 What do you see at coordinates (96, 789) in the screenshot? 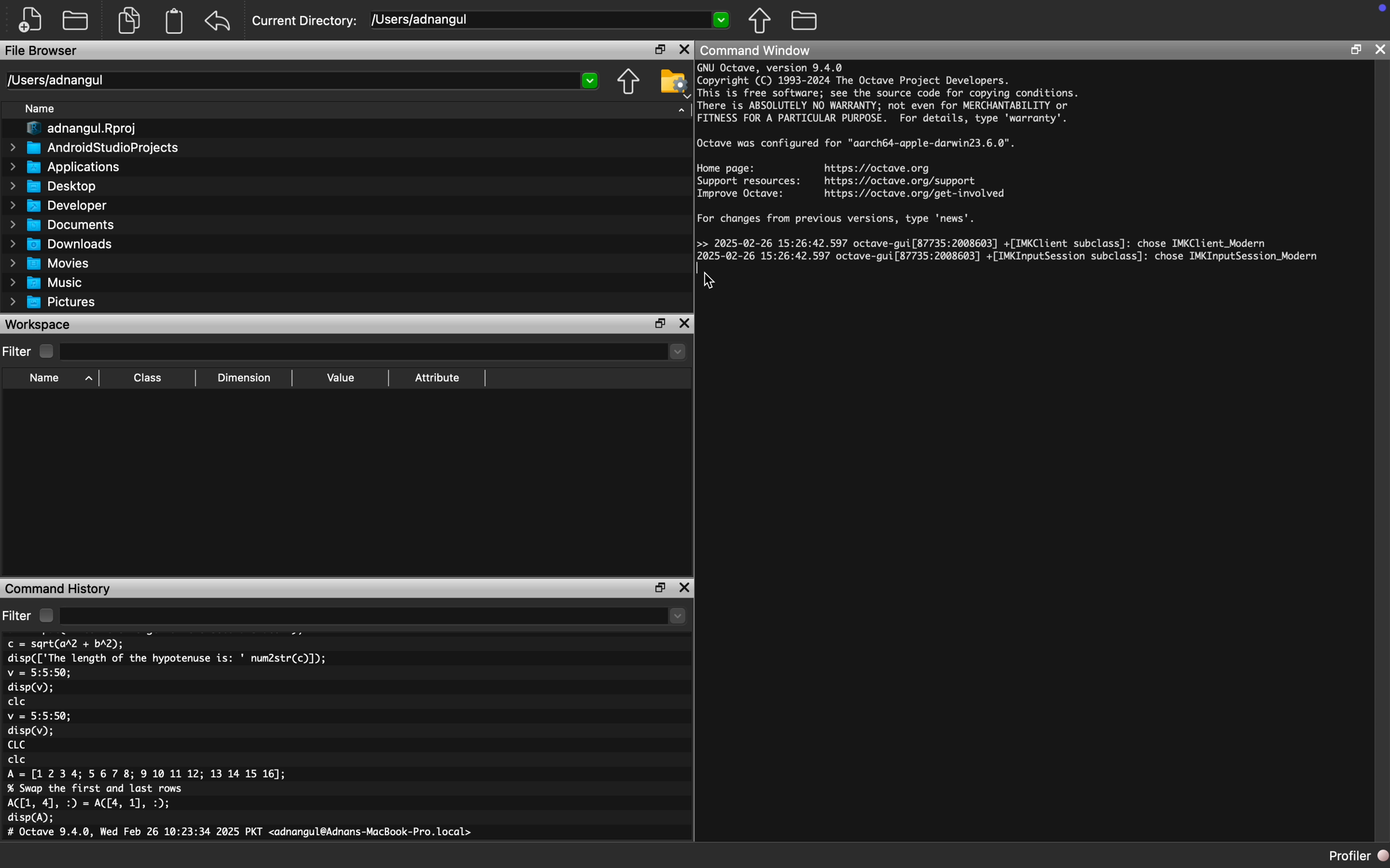
I see `% Swap the first and last row:` at bounding box center [96, 789].